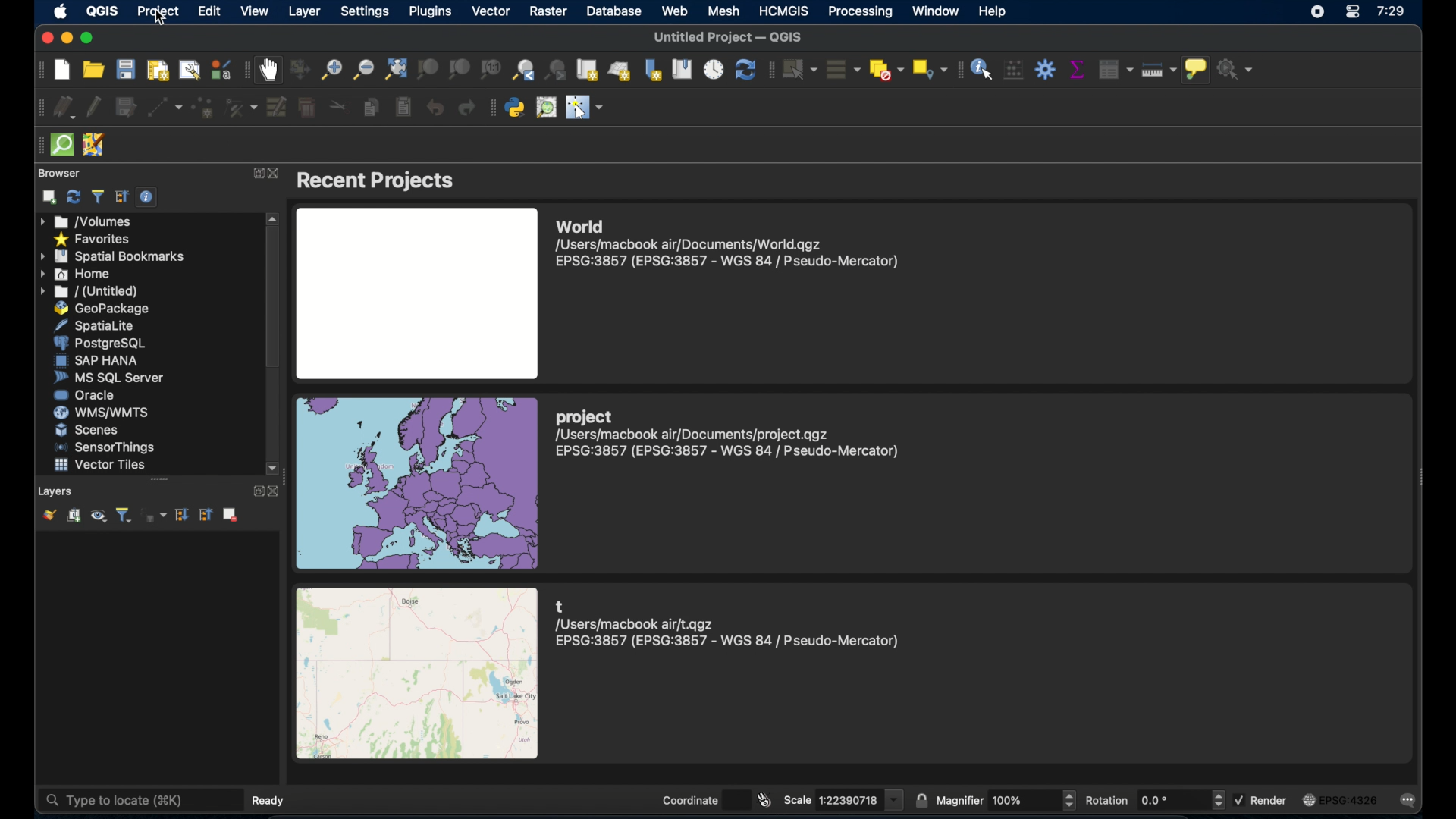 This screenshot has height=819, width=1456. Describe the element at coordinates (307, 108) in the screenshot. I see `delete selected` at that location.